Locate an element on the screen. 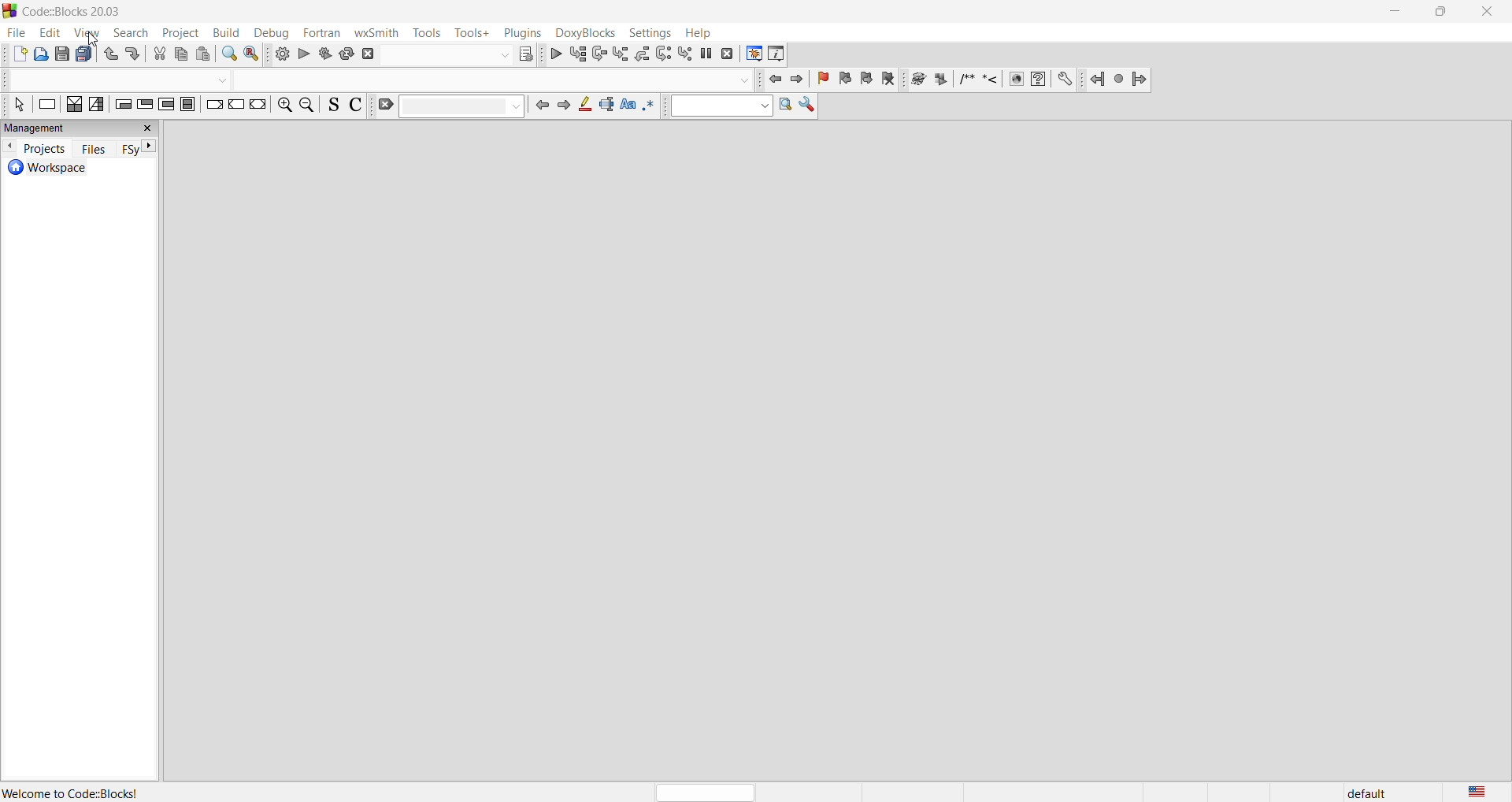  maximize is located at coordinates (1443, 13).